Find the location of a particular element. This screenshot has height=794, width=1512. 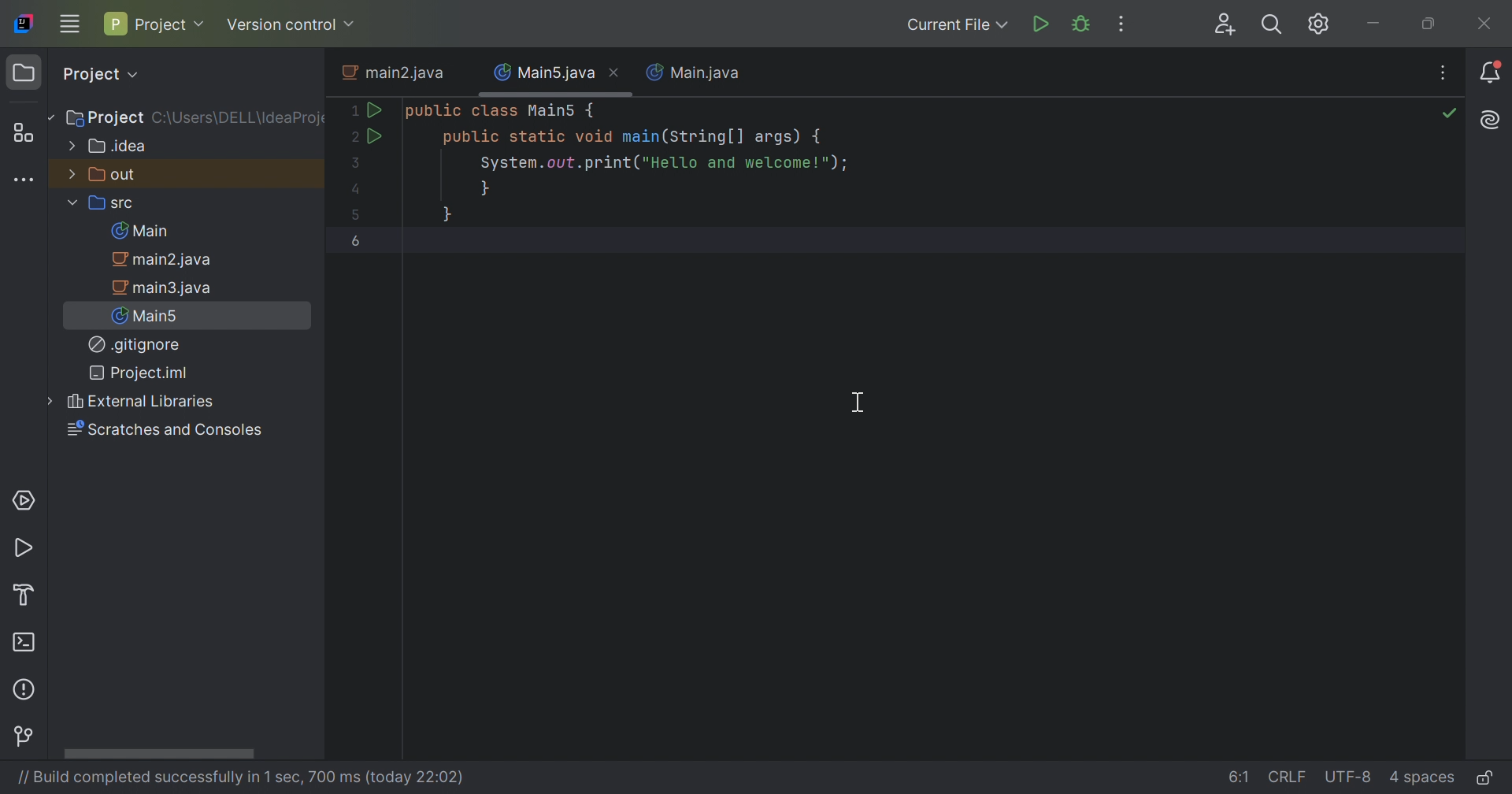

Build is located at coordinates (31, 593).